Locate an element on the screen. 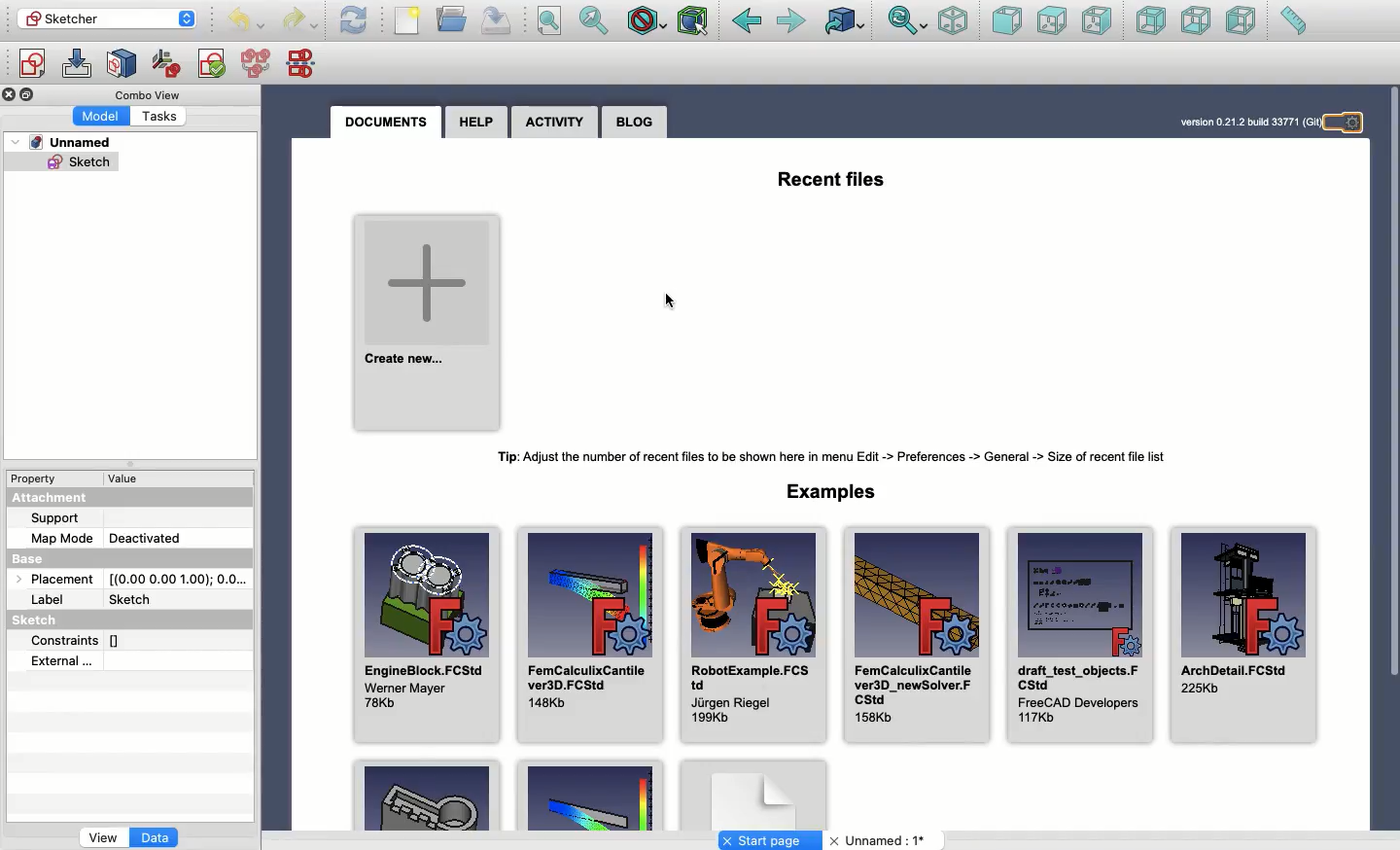  Tip: Adjust the number of recent files to be shown here in menu Edit -> Preferences -> General -> Size of recent fle list is located at coordinates (842, 457).